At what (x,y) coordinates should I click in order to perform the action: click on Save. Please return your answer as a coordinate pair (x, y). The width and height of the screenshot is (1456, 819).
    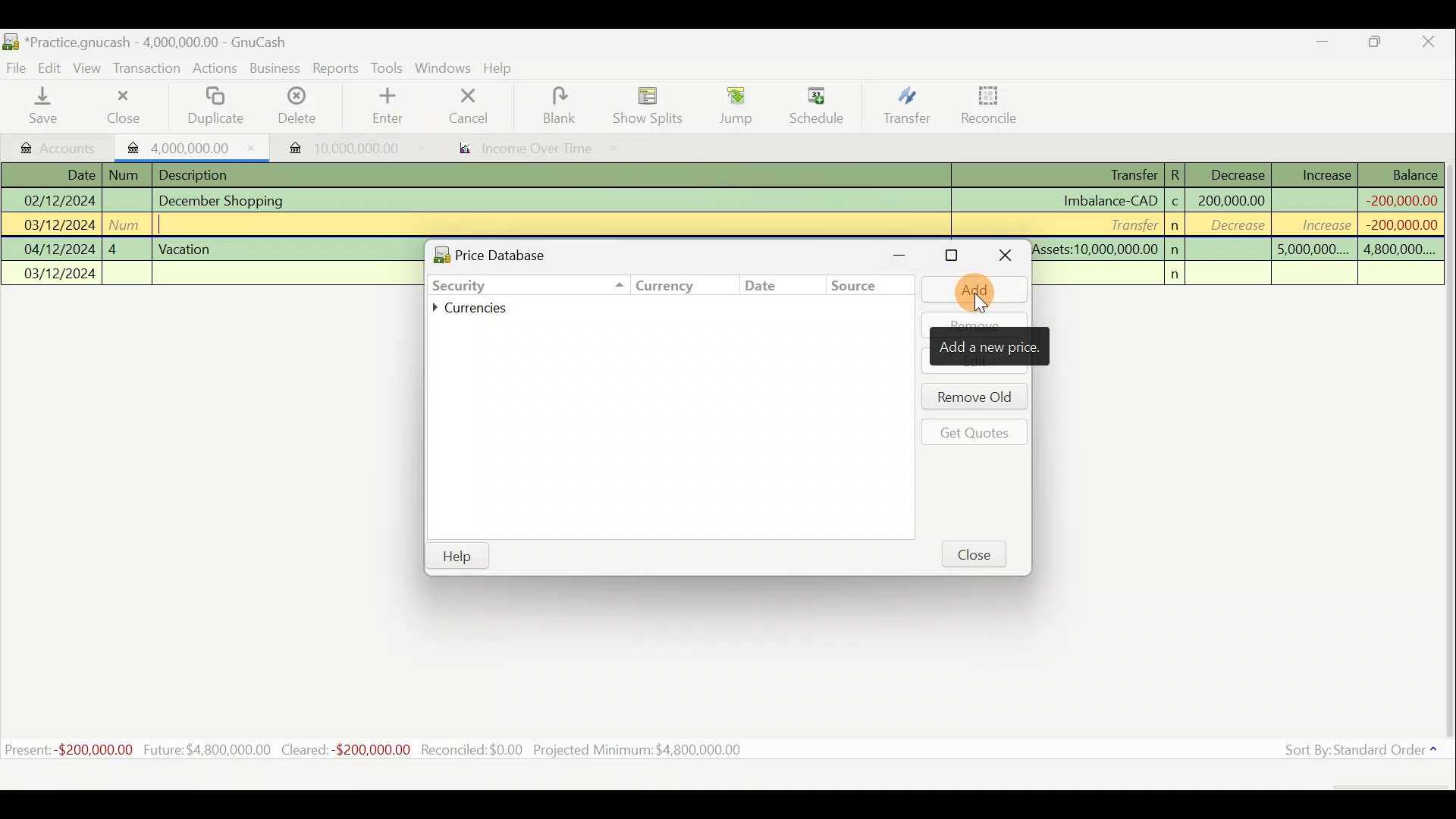
    Looking at the image, I should click on (46, 107).